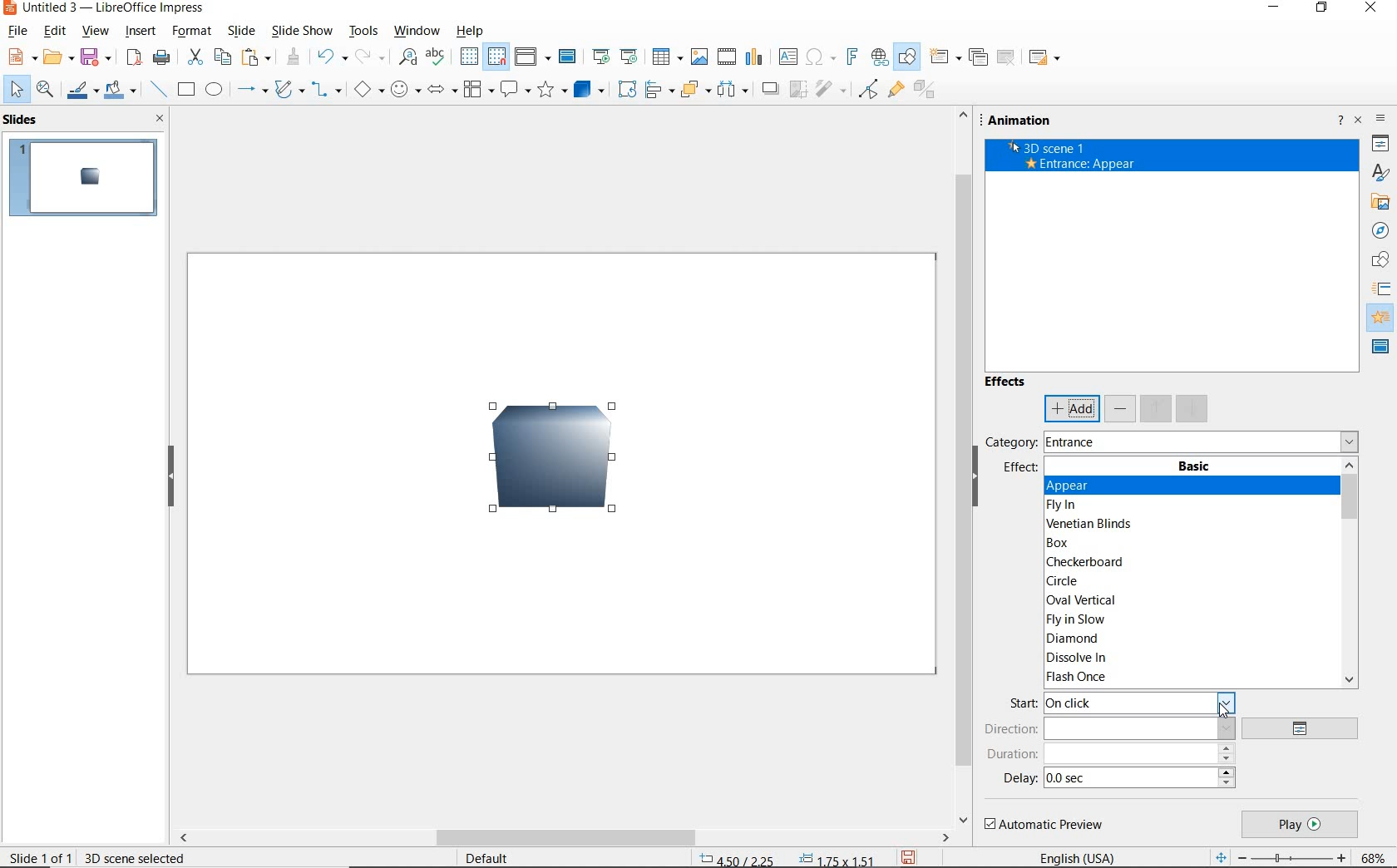  I want to click on snap to grid, so click(498, 57).